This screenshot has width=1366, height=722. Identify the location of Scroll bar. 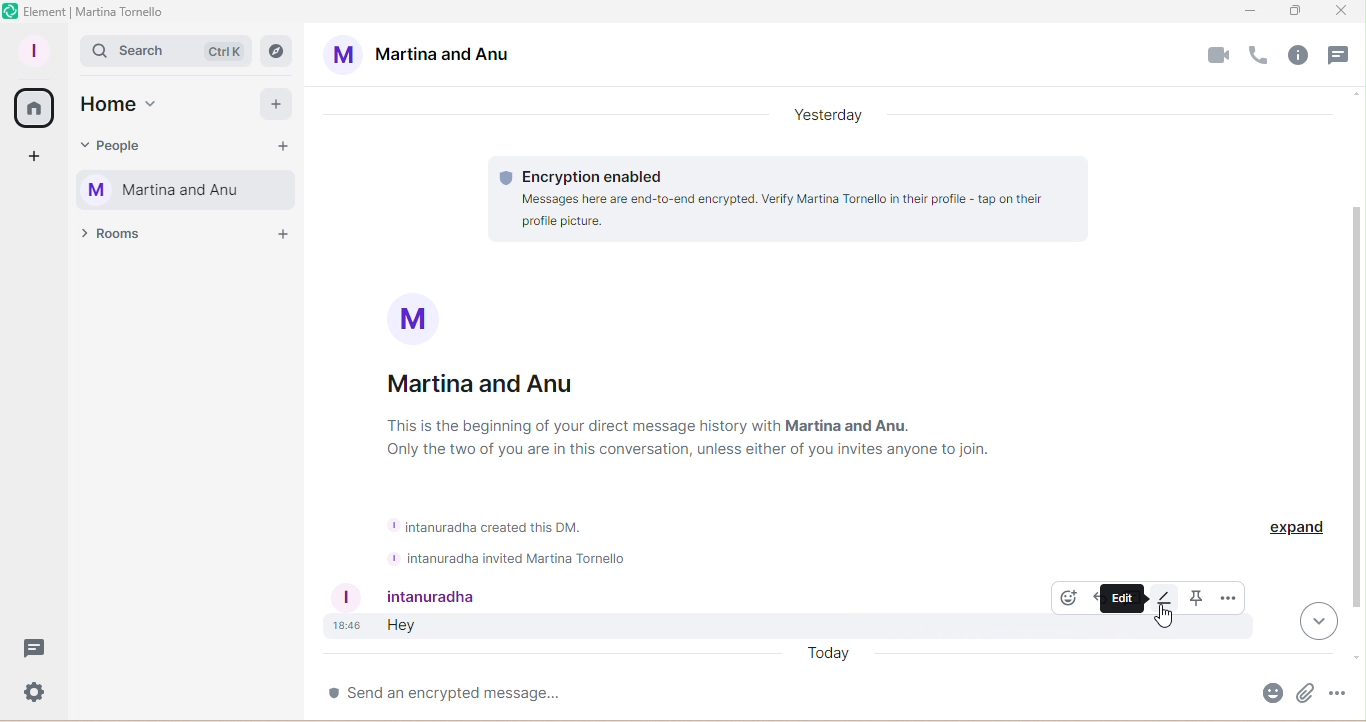
(1358, 395).